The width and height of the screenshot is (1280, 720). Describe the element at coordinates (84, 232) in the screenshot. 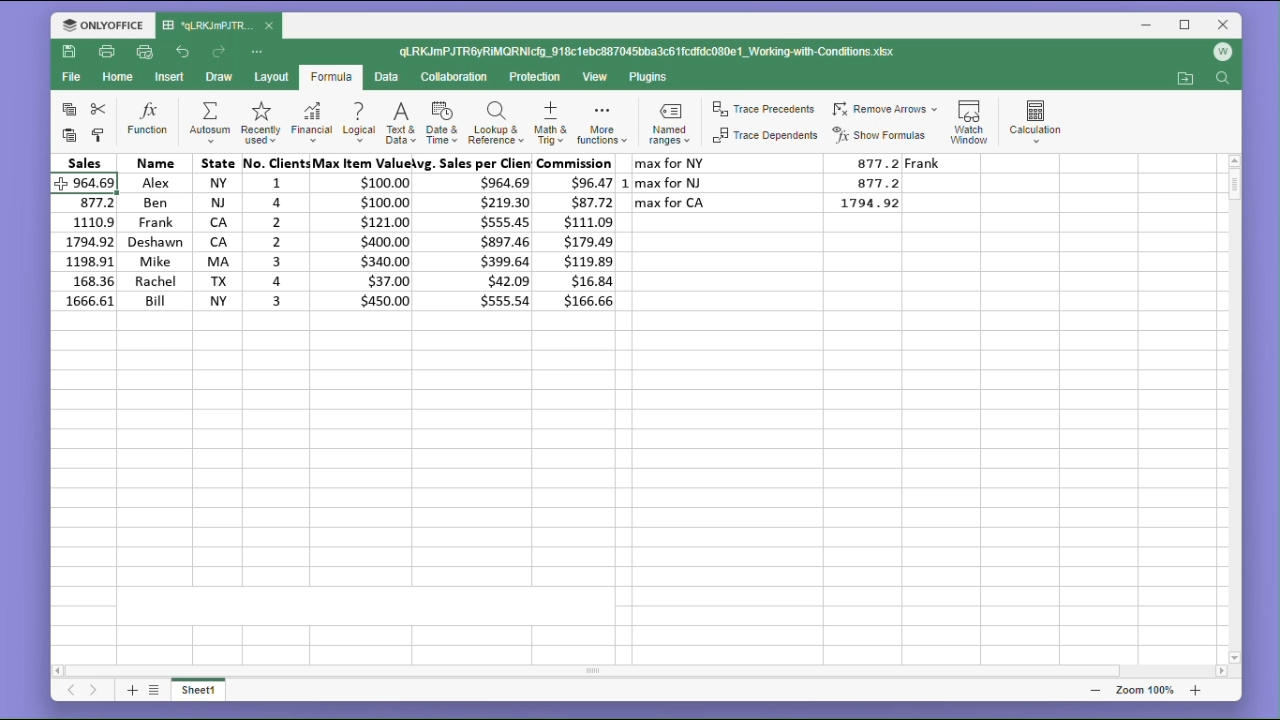

I see `sales` at that location.